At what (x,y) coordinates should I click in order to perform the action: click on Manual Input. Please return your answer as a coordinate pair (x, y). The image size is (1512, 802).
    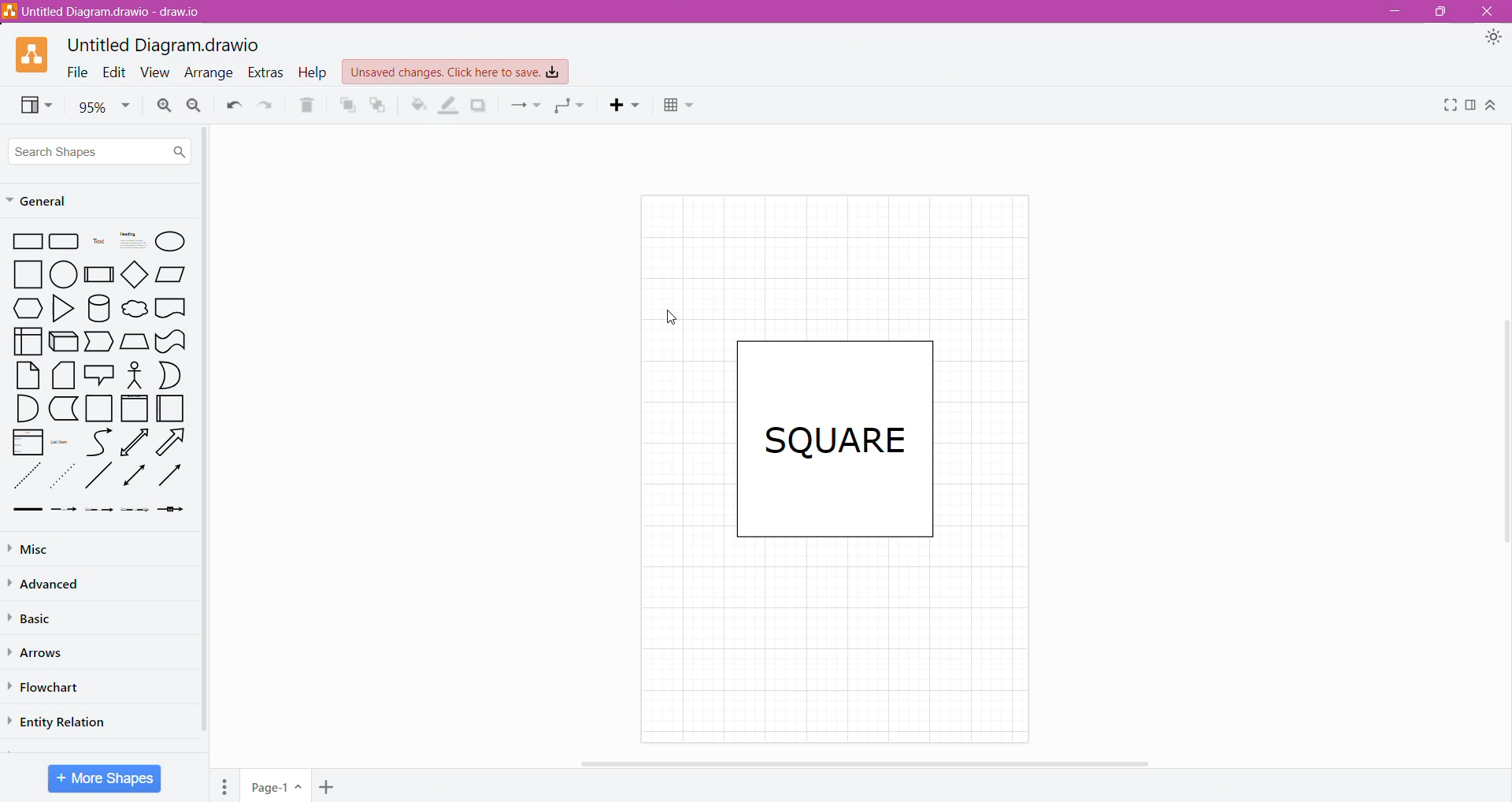
    Looking at the image, I should click on (135, 340).